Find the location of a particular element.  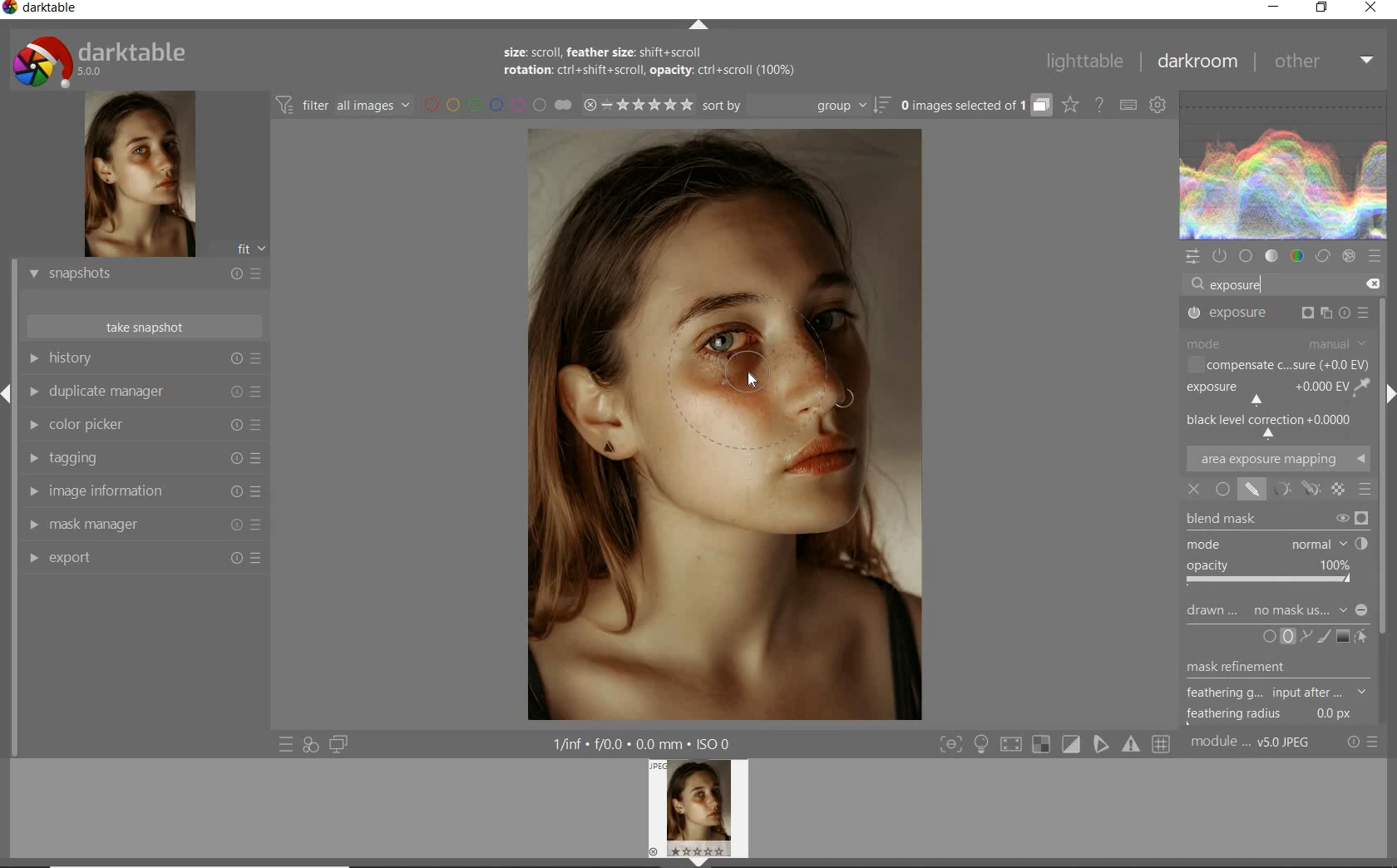

OFF is located at coordinates (1195, 489).